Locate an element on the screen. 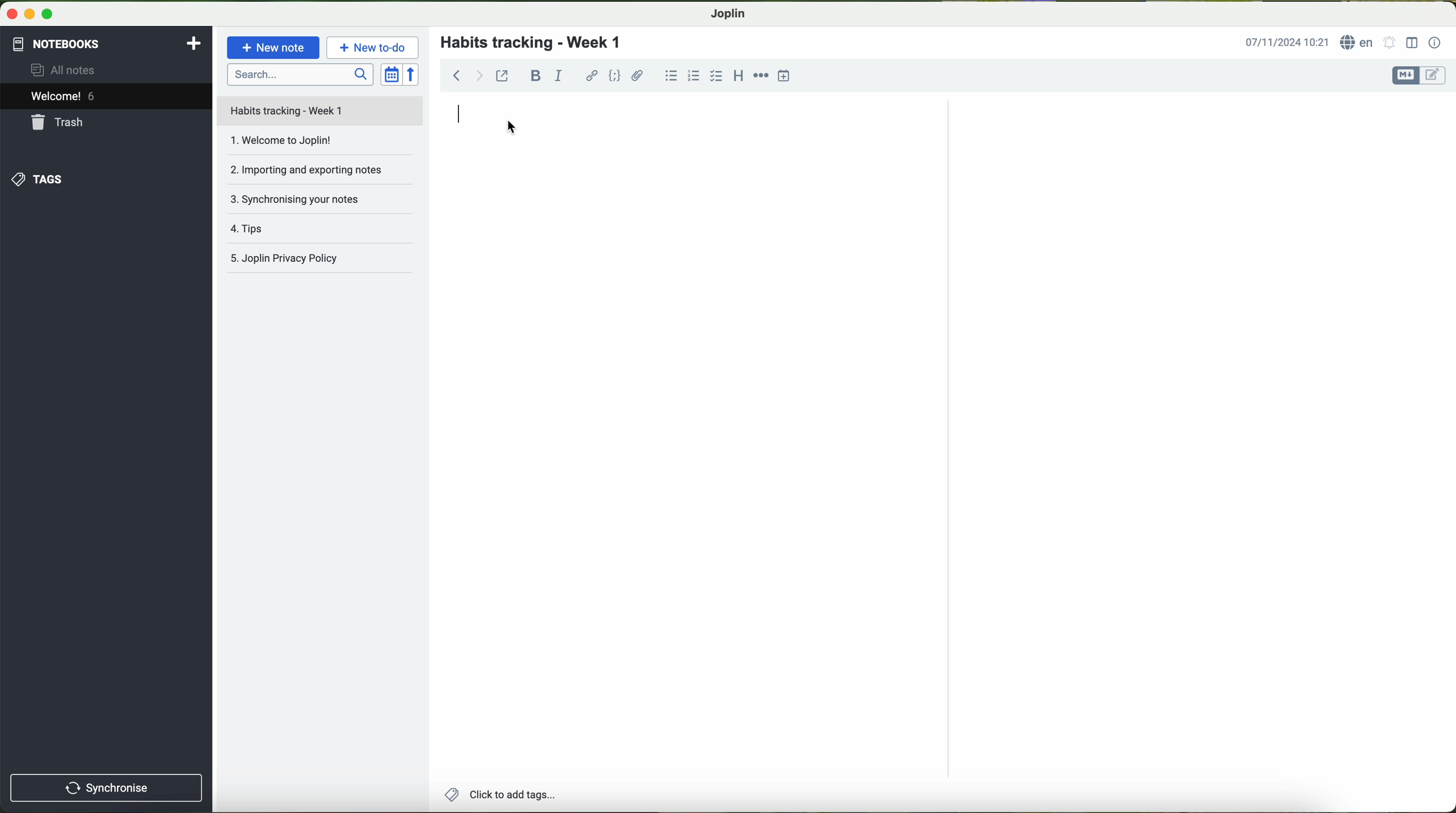  forward is located at coordinates (479, 75).